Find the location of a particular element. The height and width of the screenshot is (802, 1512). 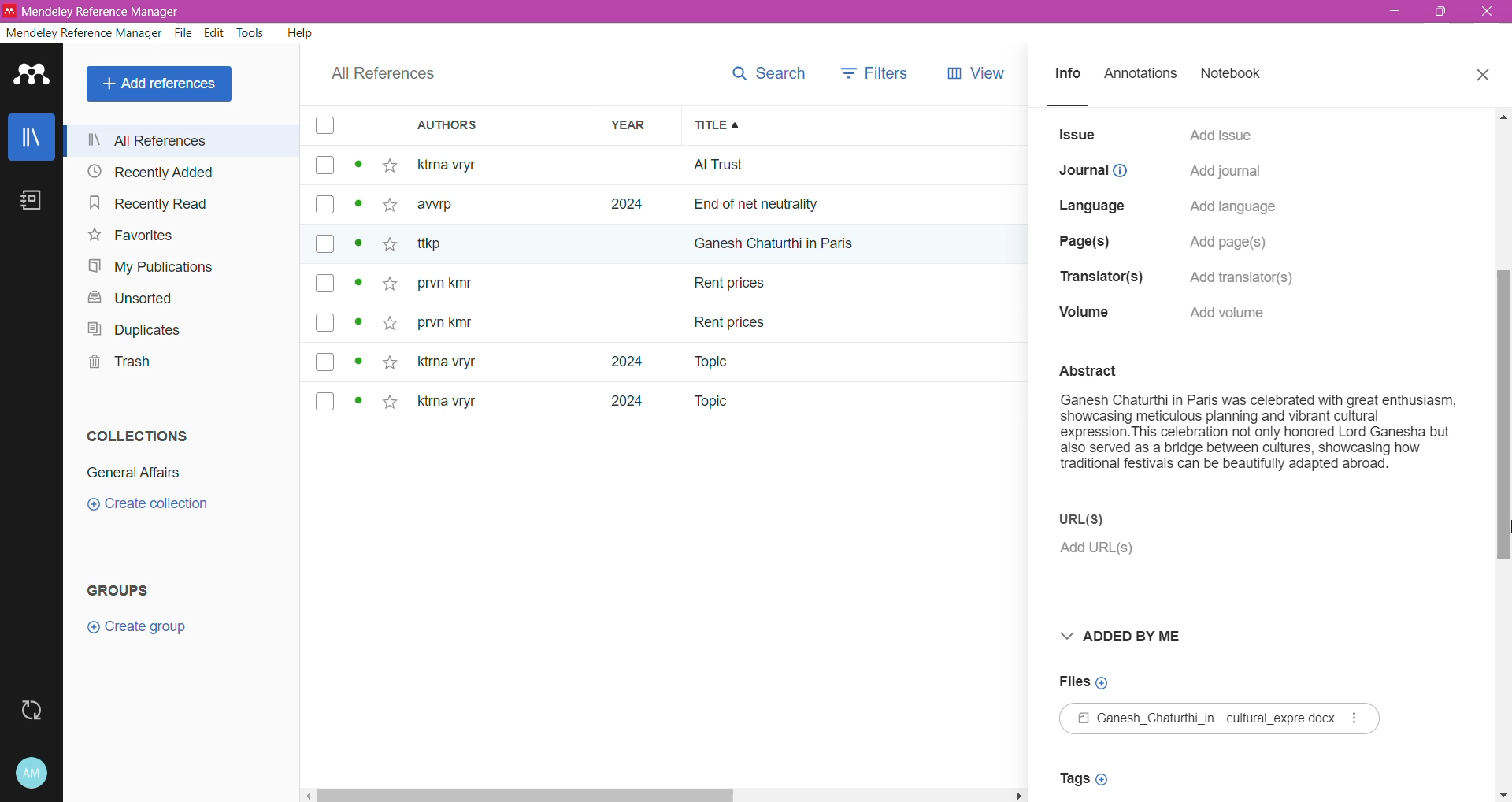

Unsorted is located at coordinates (126, 297).